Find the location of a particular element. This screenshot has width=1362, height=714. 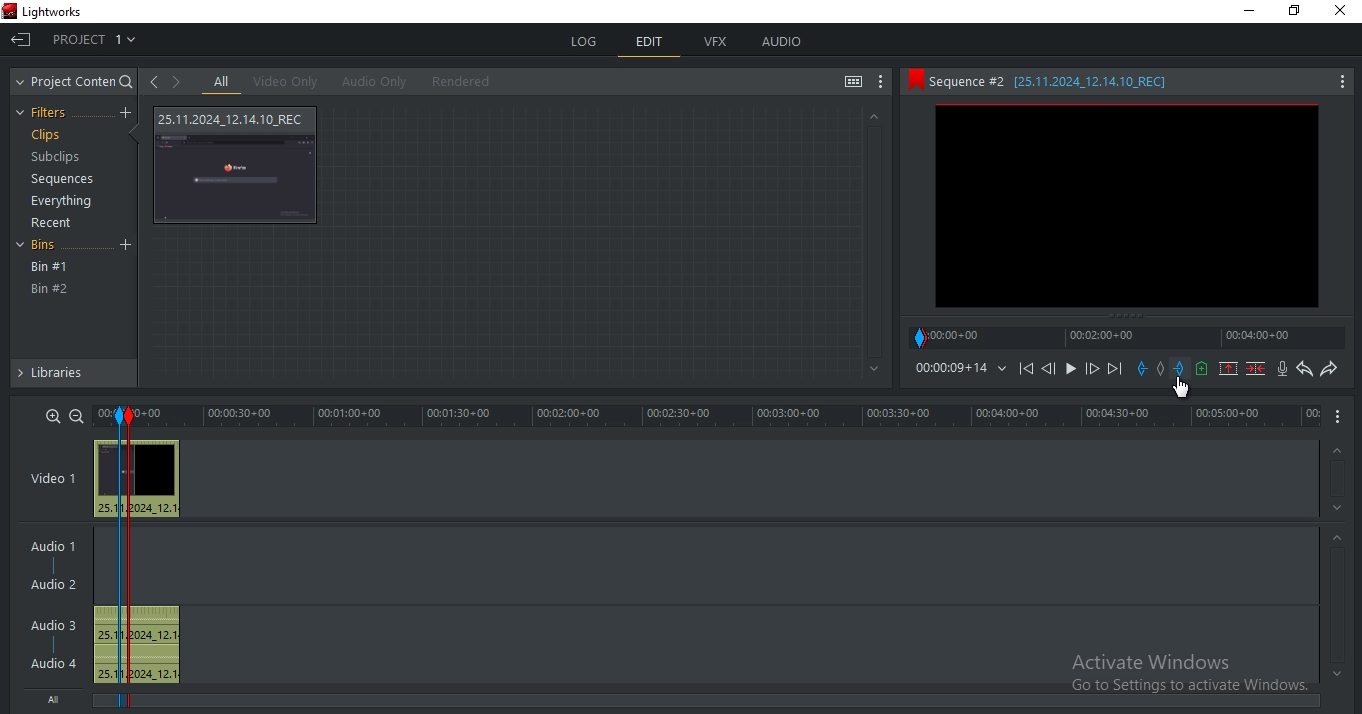

Up is located at coordinates (1338, 537).